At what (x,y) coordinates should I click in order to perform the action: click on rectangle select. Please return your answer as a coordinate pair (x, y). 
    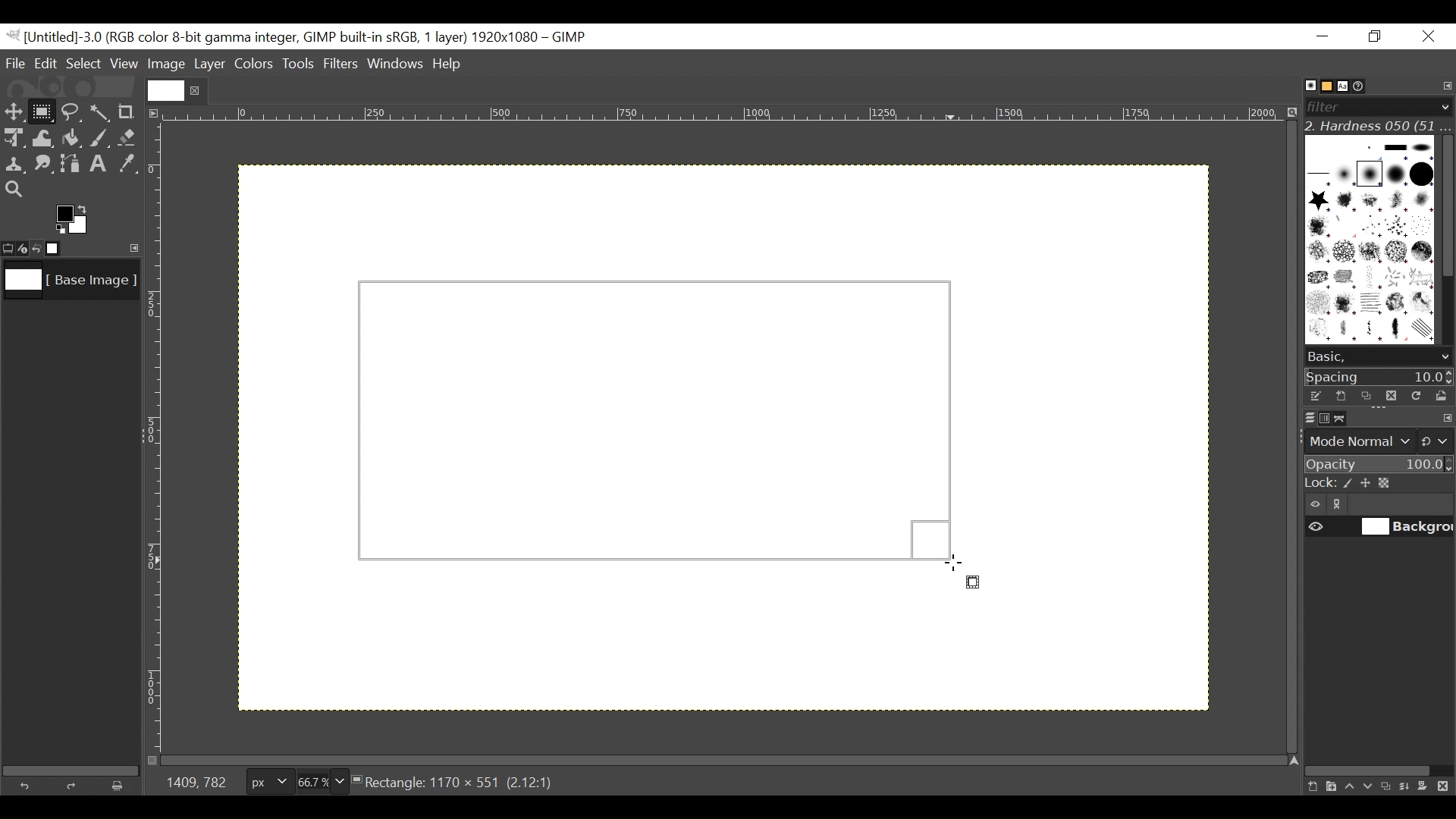
    Looking at the image, I should click on (974, 586).